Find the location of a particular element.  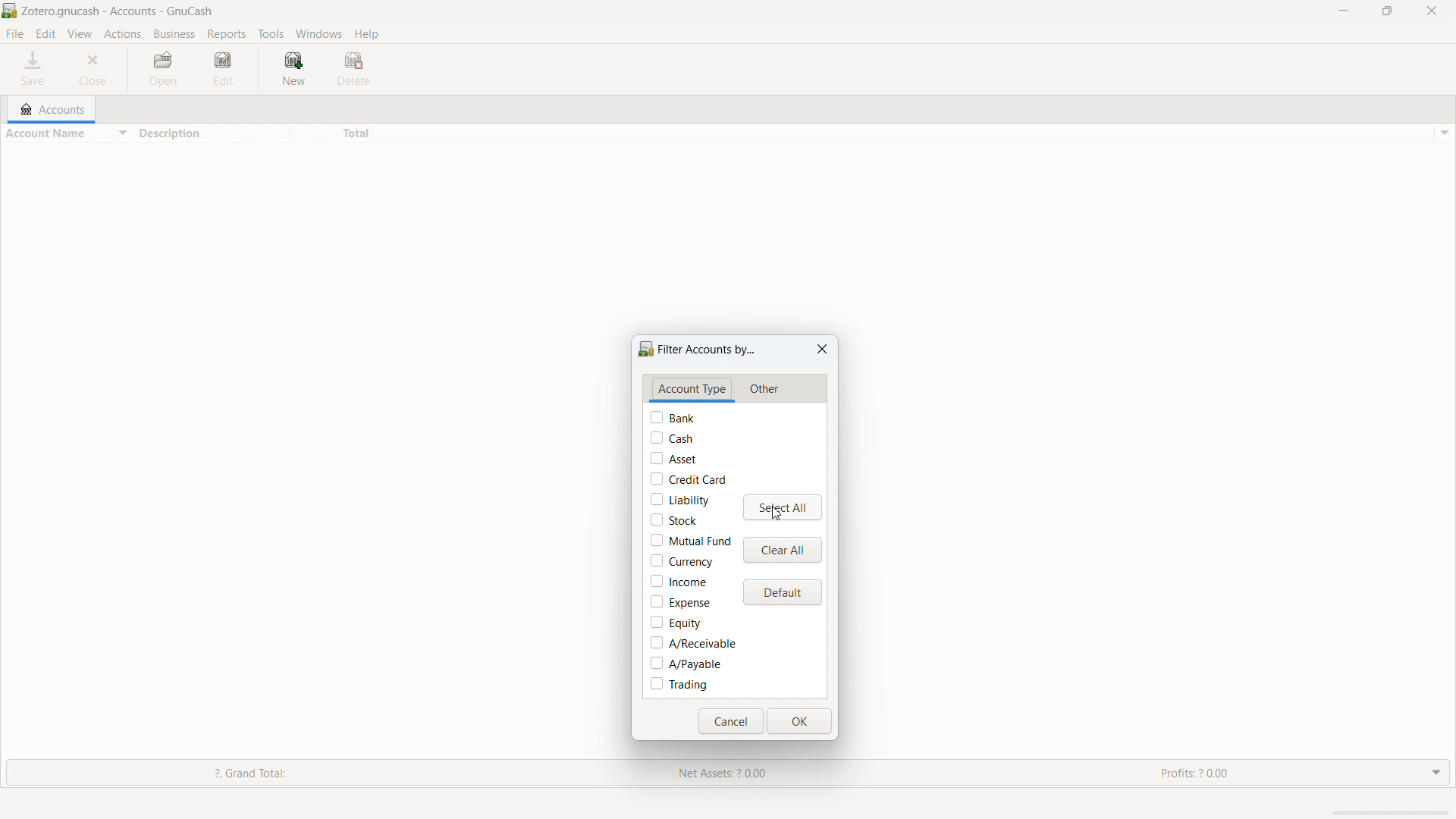

Net Assets: ? 0.00 is located at coordinates (730, 773).